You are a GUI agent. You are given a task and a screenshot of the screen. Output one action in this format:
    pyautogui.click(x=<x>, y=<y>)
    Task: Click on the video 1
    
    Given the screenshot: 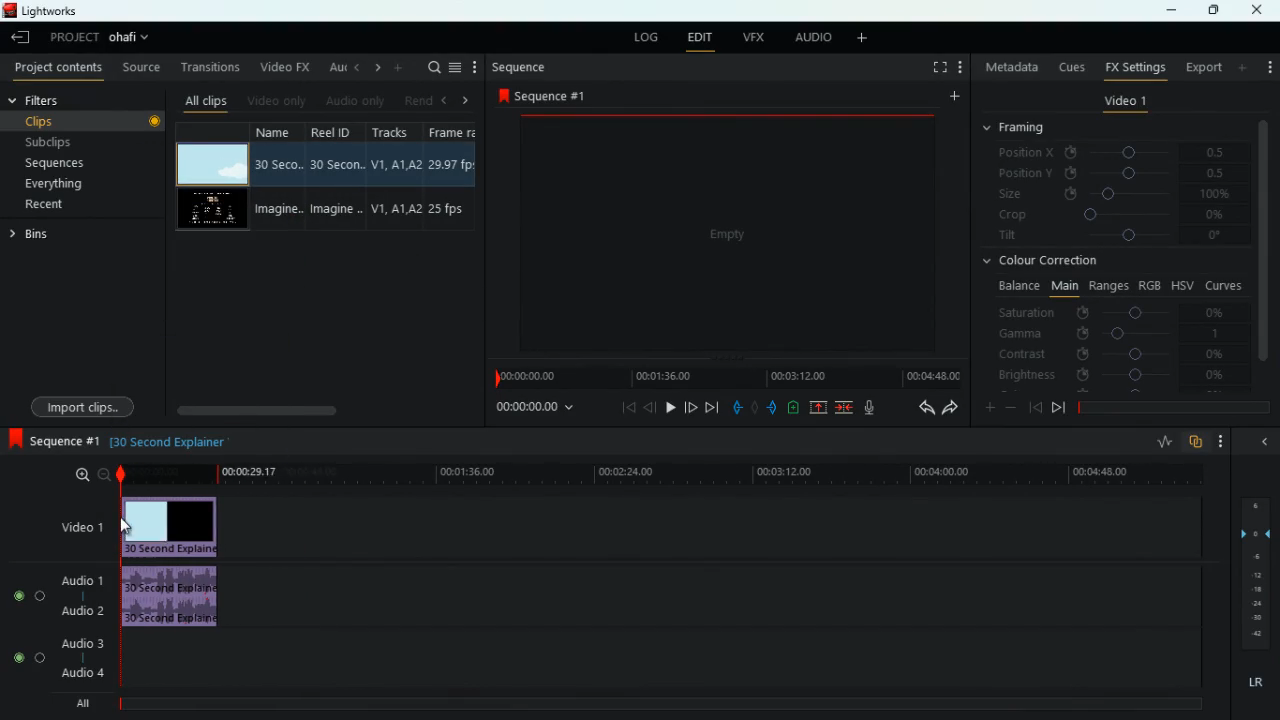 What is the action you would take?
    pyautogui.click(x=79, y=526)
    